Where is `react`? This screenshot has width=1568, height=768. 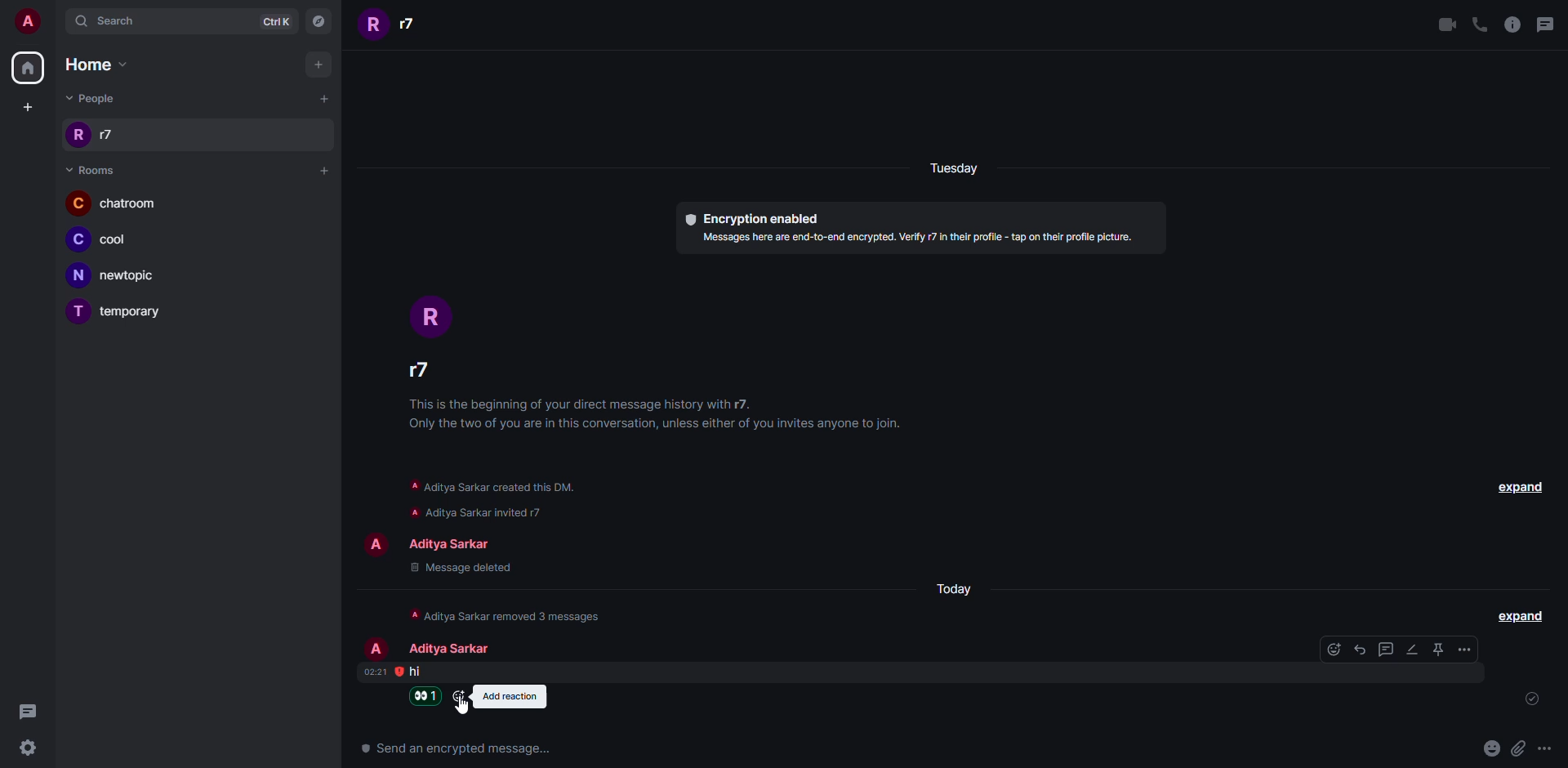
react is located at coordinates (1335, 648).